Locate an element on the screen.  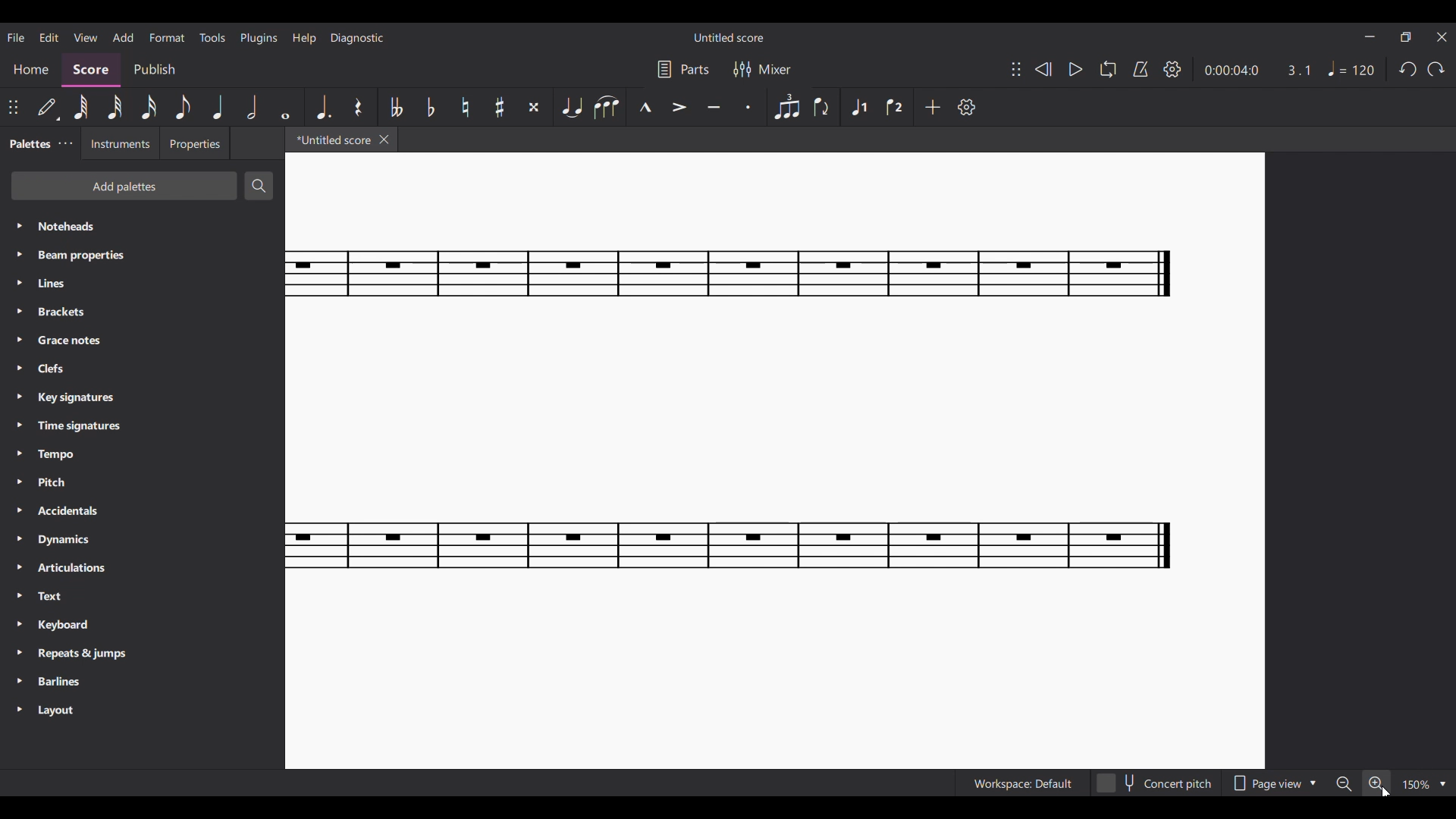
Change position is located at coordinates (14, 107).